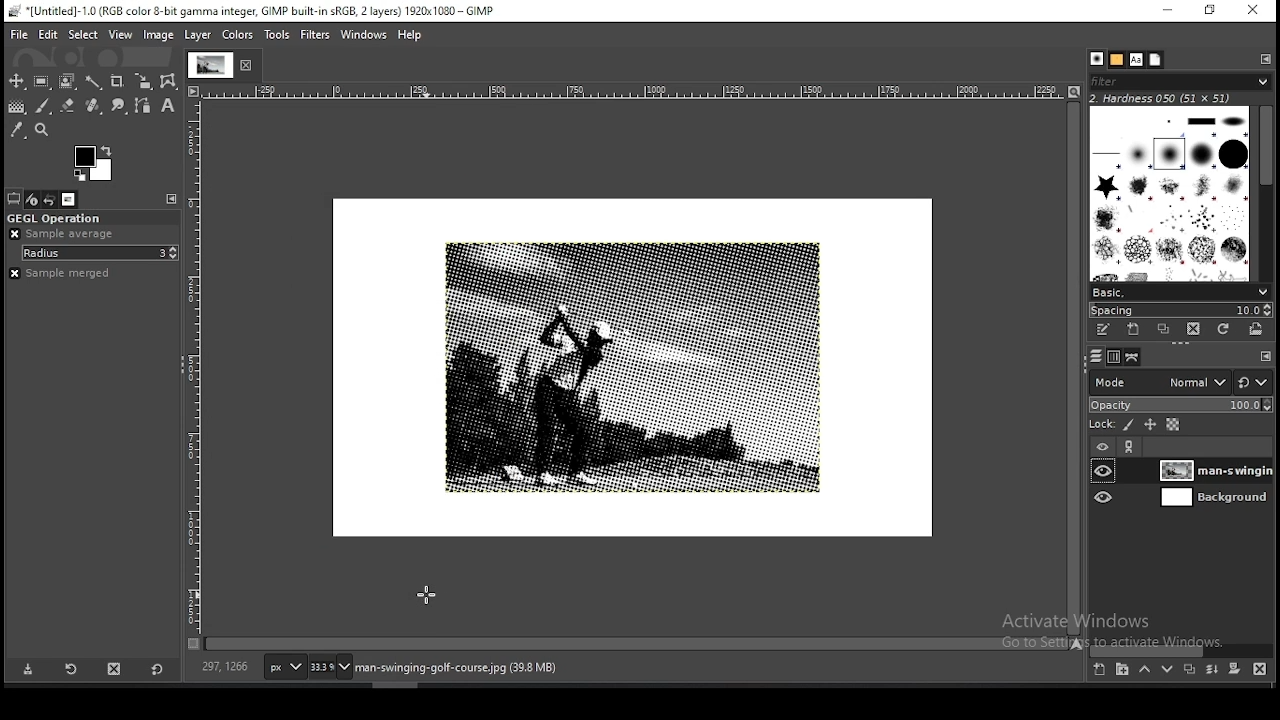  What do you see at coordinates (1264, 669) in the screenshot?
I see `delete layer` at bounding box center [1264, 669].